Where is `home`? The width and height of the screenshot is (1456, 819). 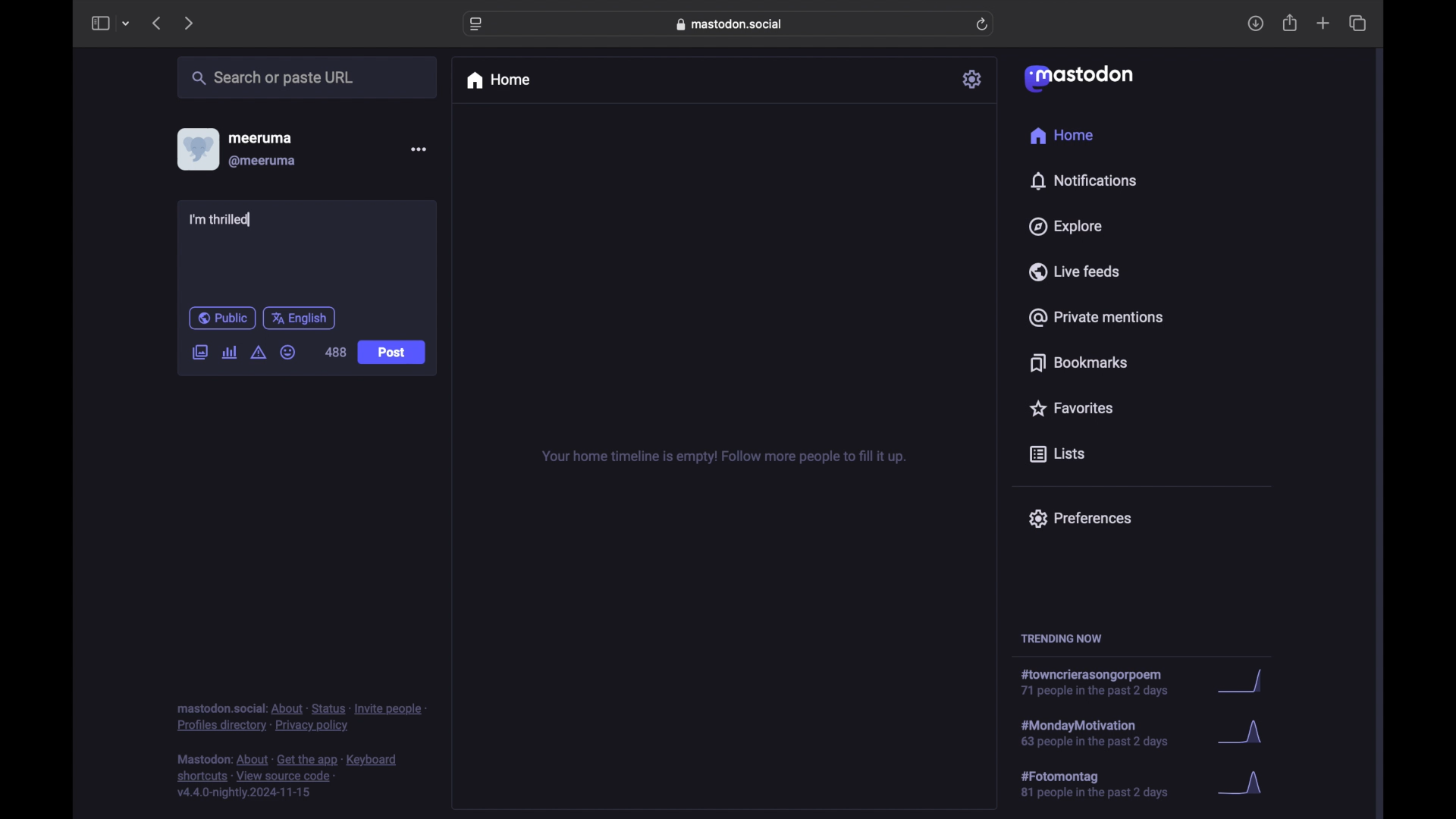
home is located at coordinates (1063, 135).